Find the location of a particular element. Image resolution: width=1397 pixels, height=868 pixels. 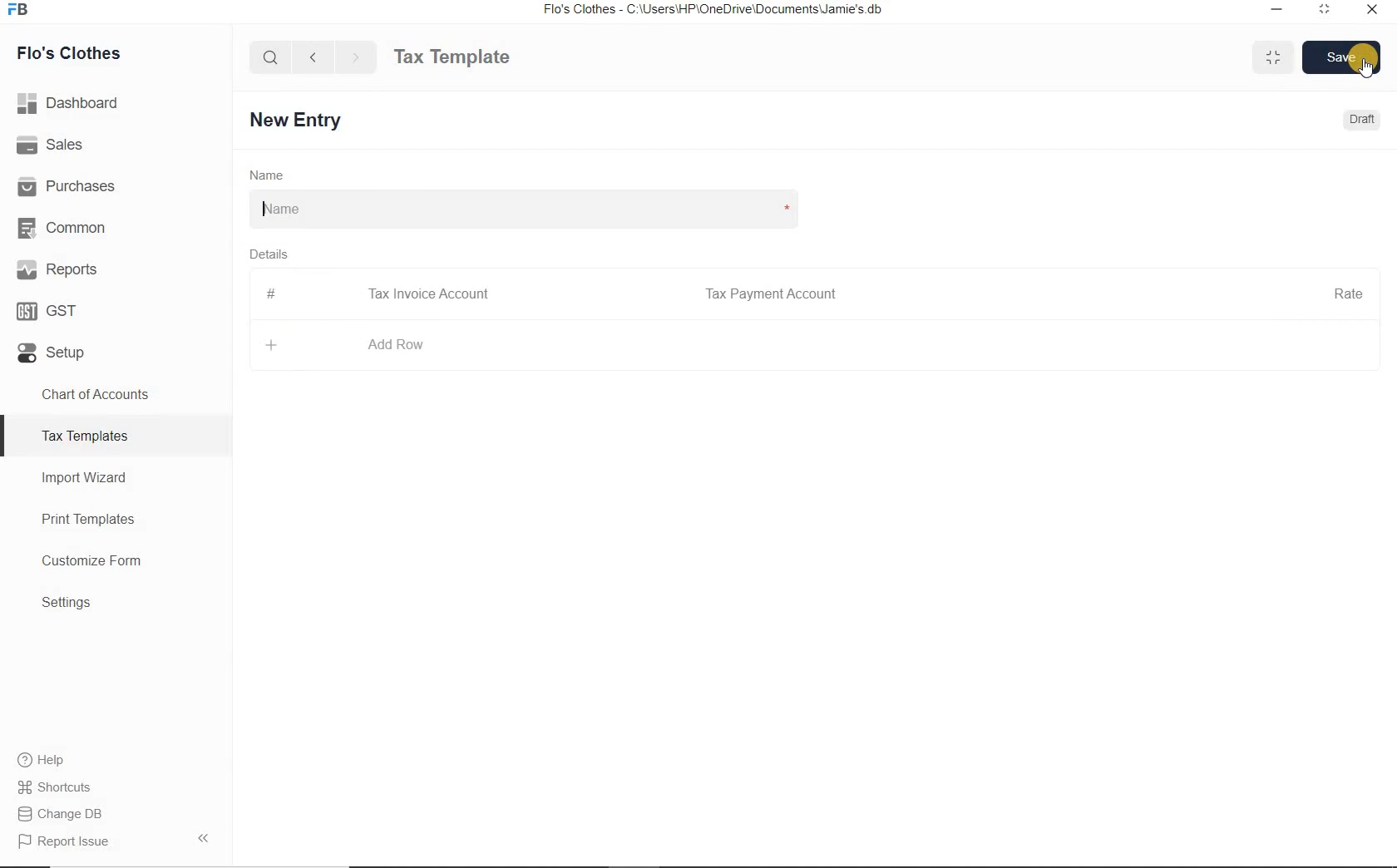

Reports is located at coordinates (116, 268).